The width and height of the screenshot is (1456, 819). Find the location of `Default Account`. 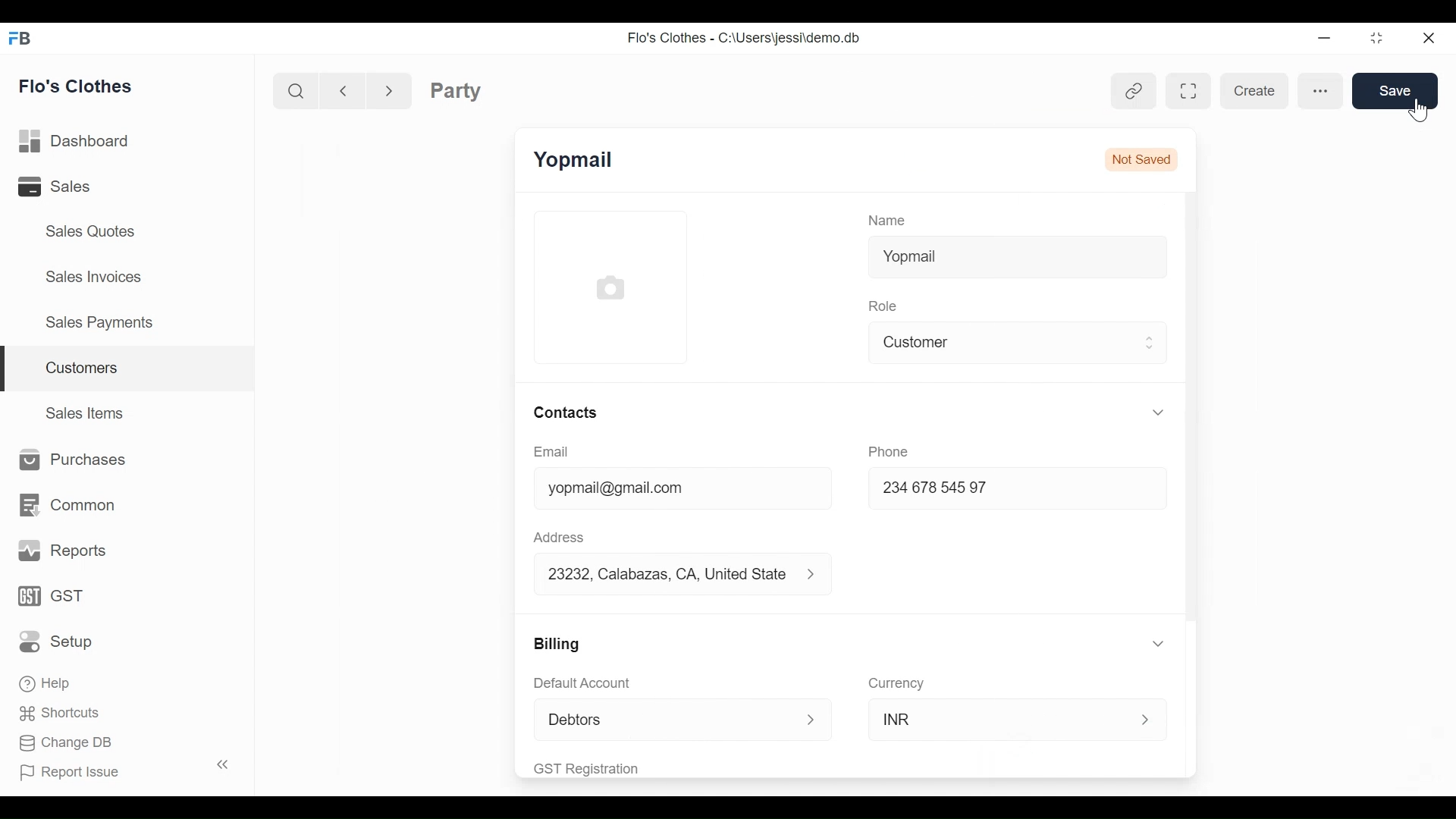

Default Account is located at coordinates (599, 684).